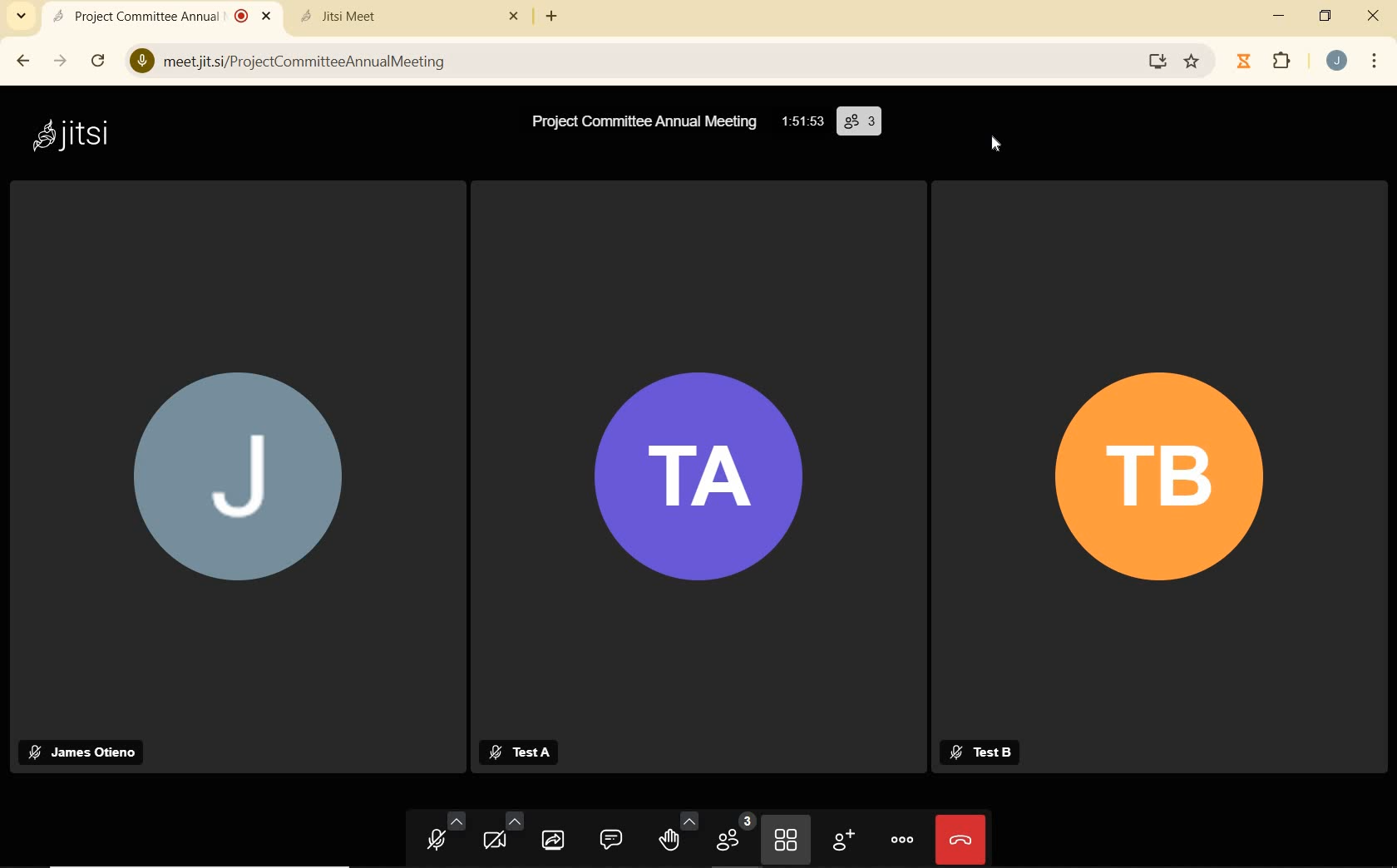 The width and height of the screenshot is (1397, 868). What do you see at coordinates (787, 839) in the screenshot?
I see `toggle tile view` at bounding box center [787, 839].